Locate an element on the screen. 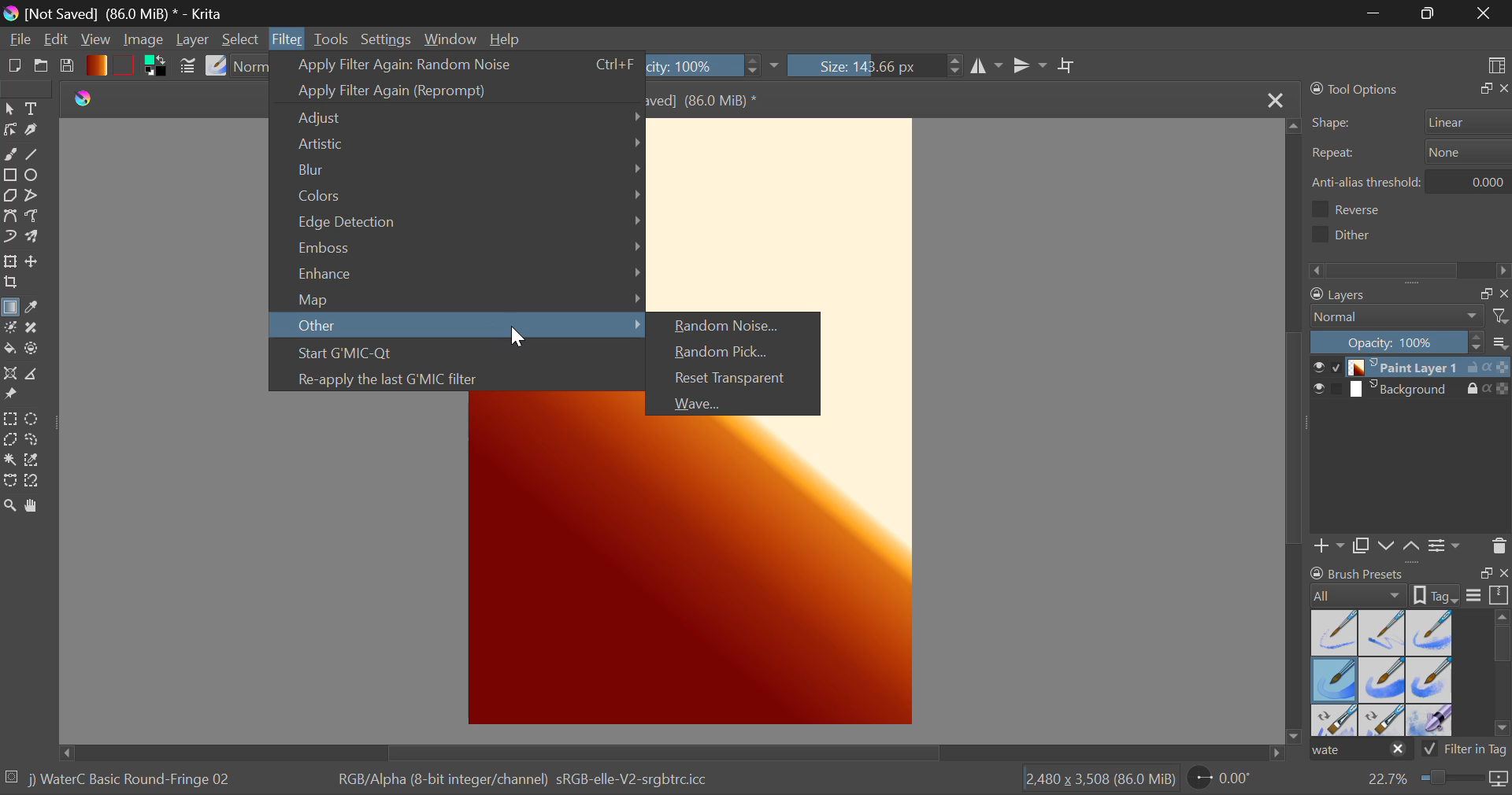 This screenshot has width=1512, height=795. close is located at coordinates (1503, 575).